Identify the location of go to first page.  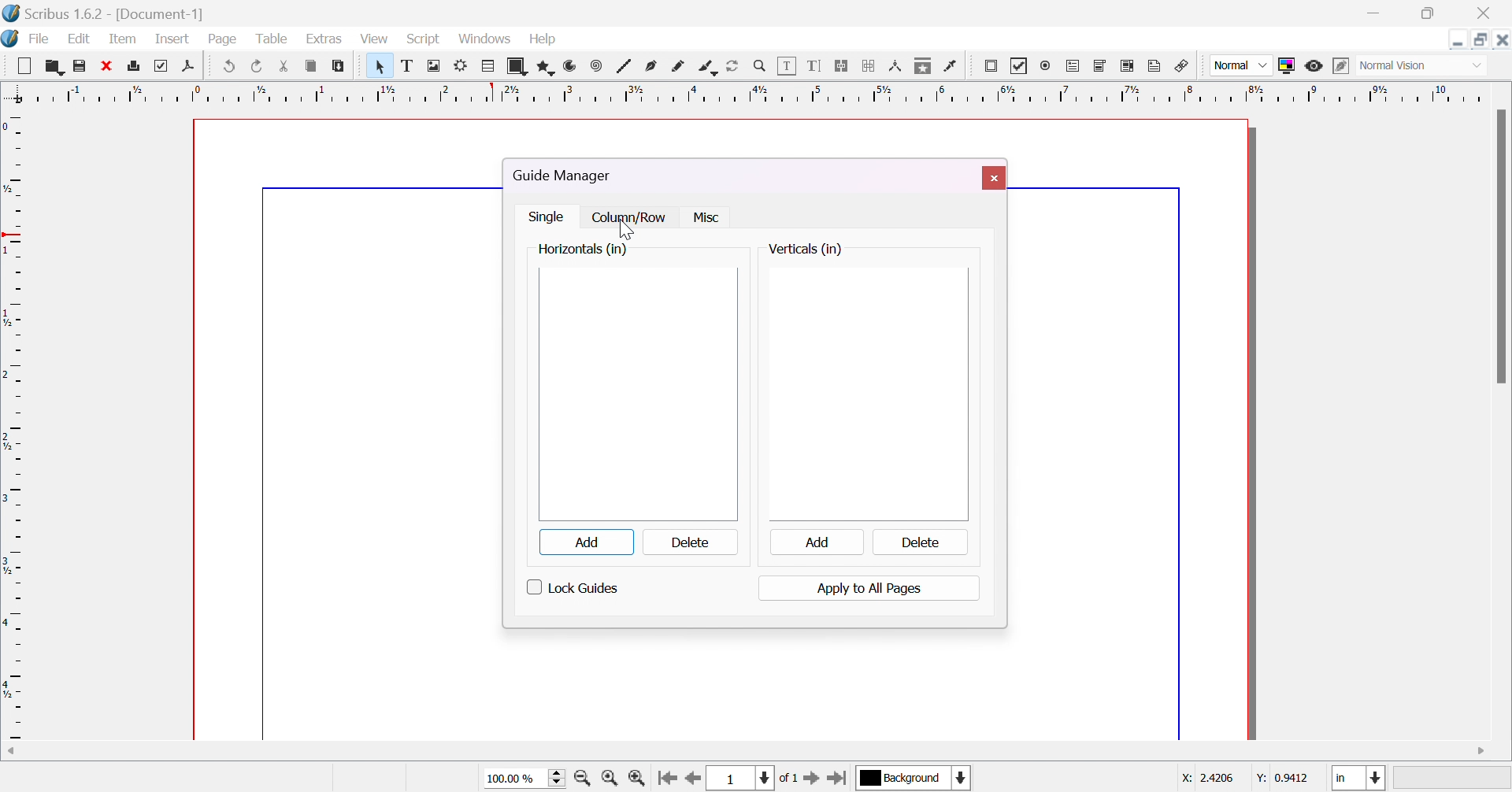
(666, 776).